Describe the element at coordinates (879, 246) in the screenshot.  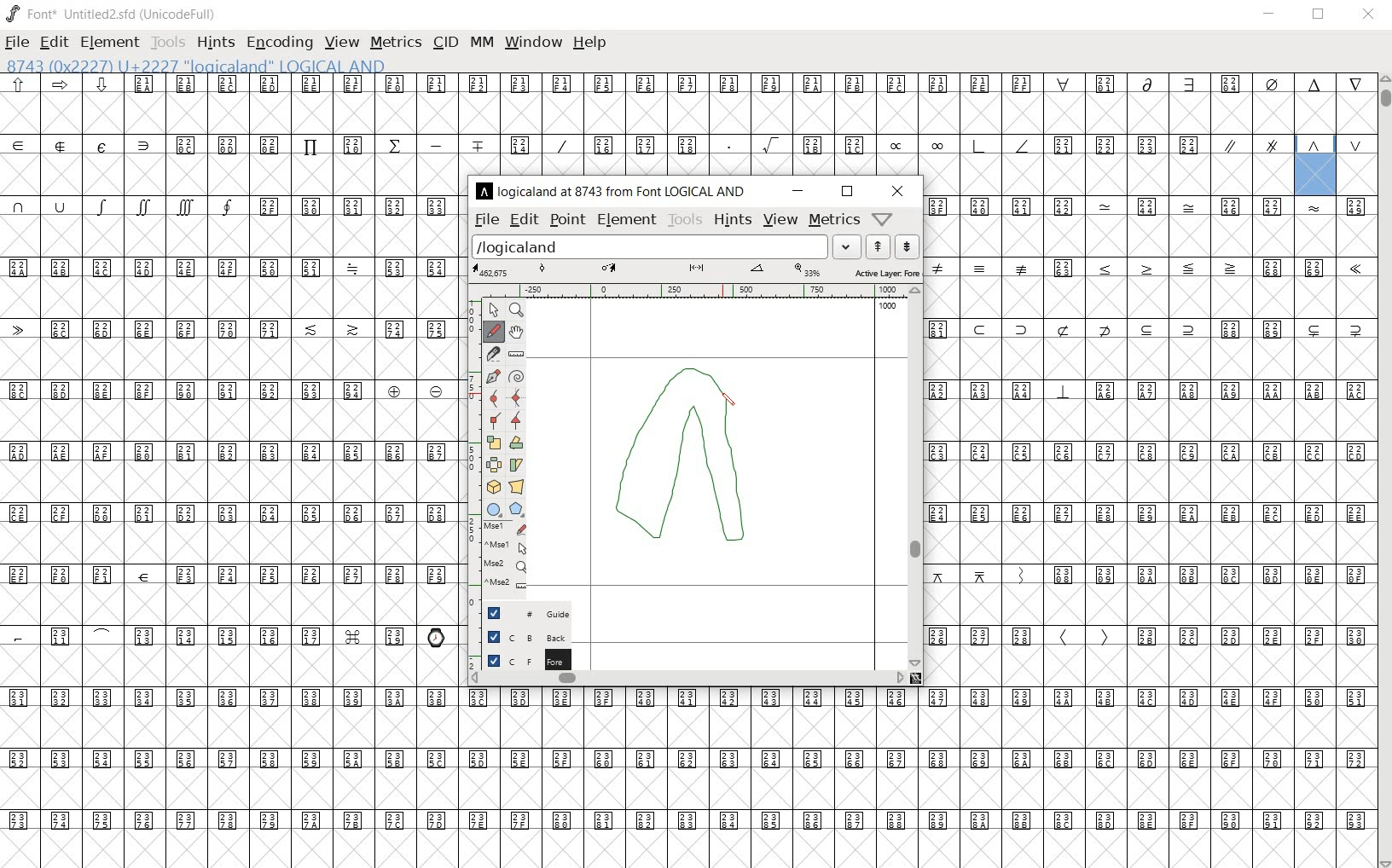
I see `show the next word on the list` at that location.